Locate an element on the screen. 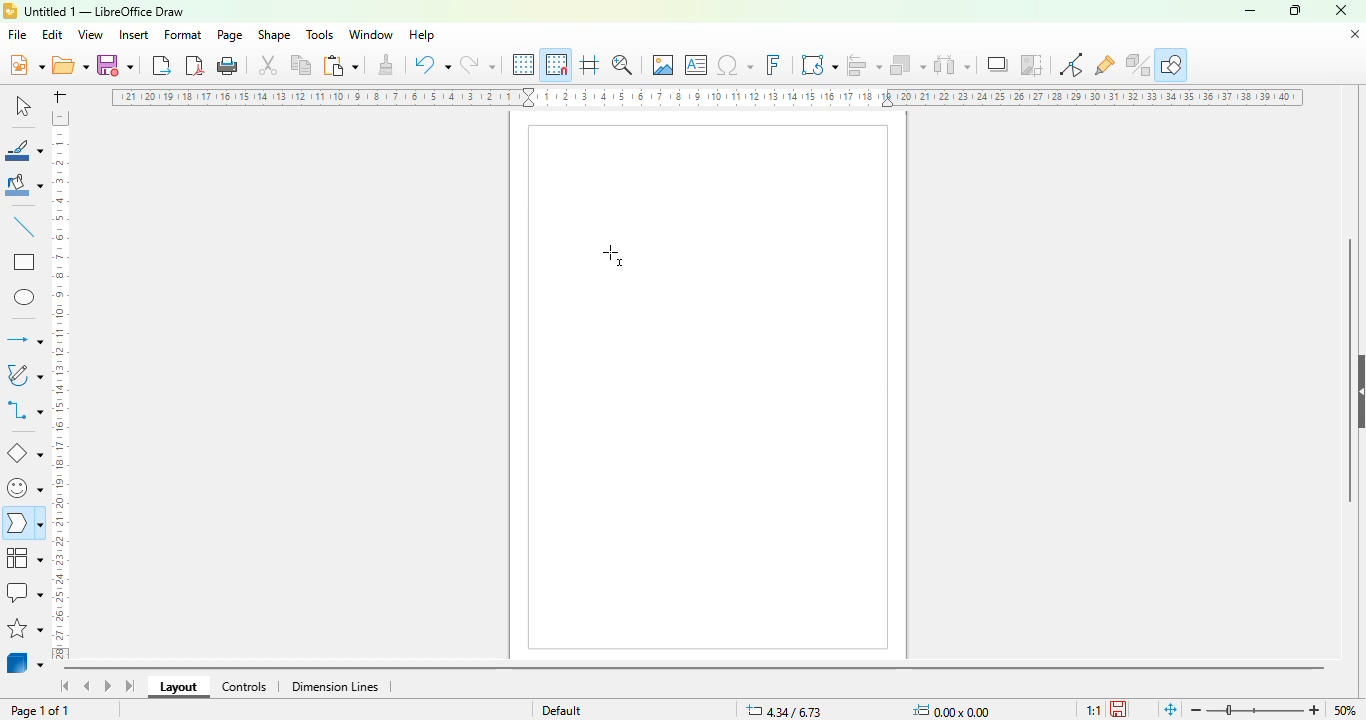  connectors is located at coordinates (24, 409).